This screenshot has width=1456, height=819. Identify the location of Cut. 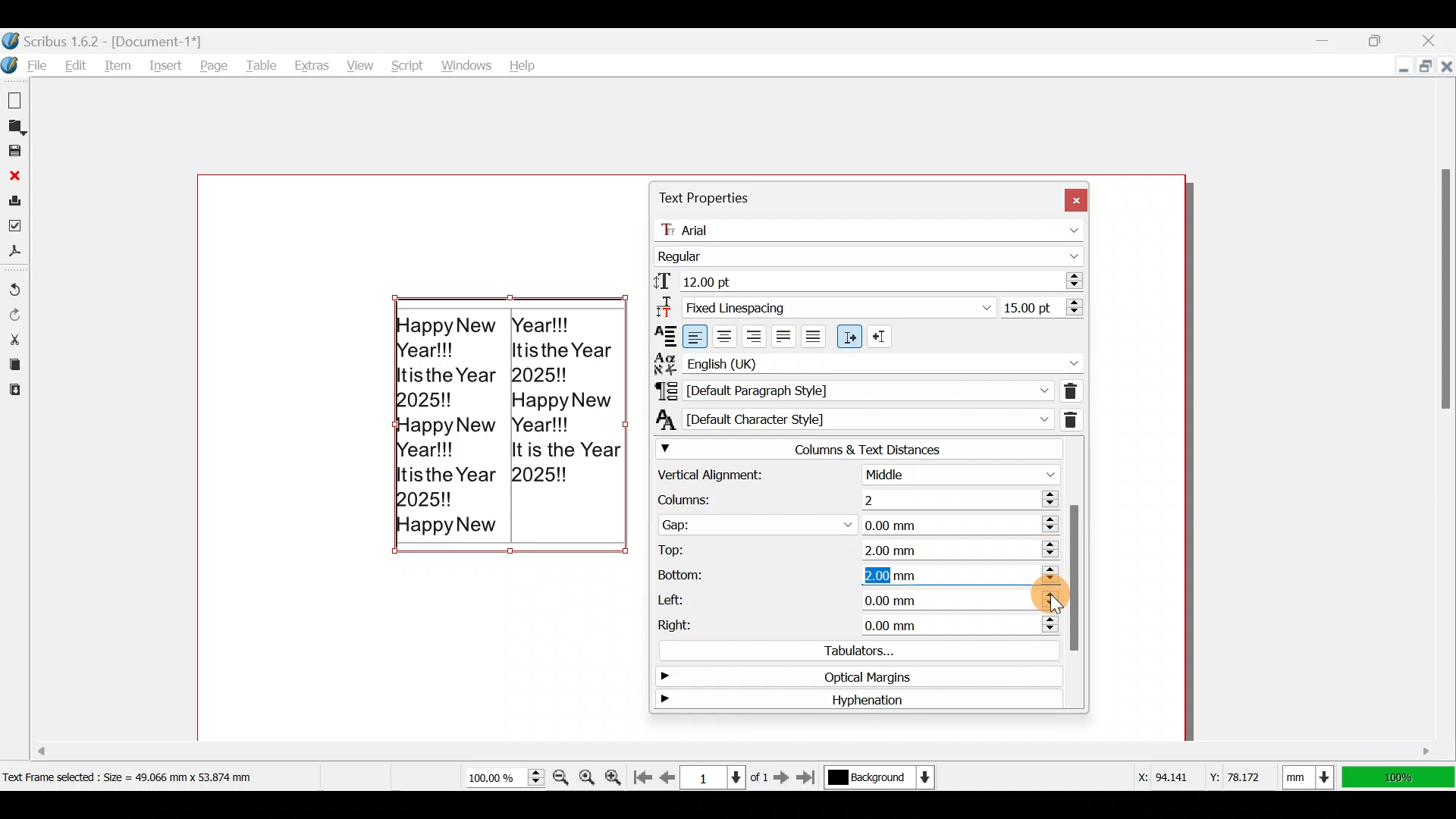
(14, 338).